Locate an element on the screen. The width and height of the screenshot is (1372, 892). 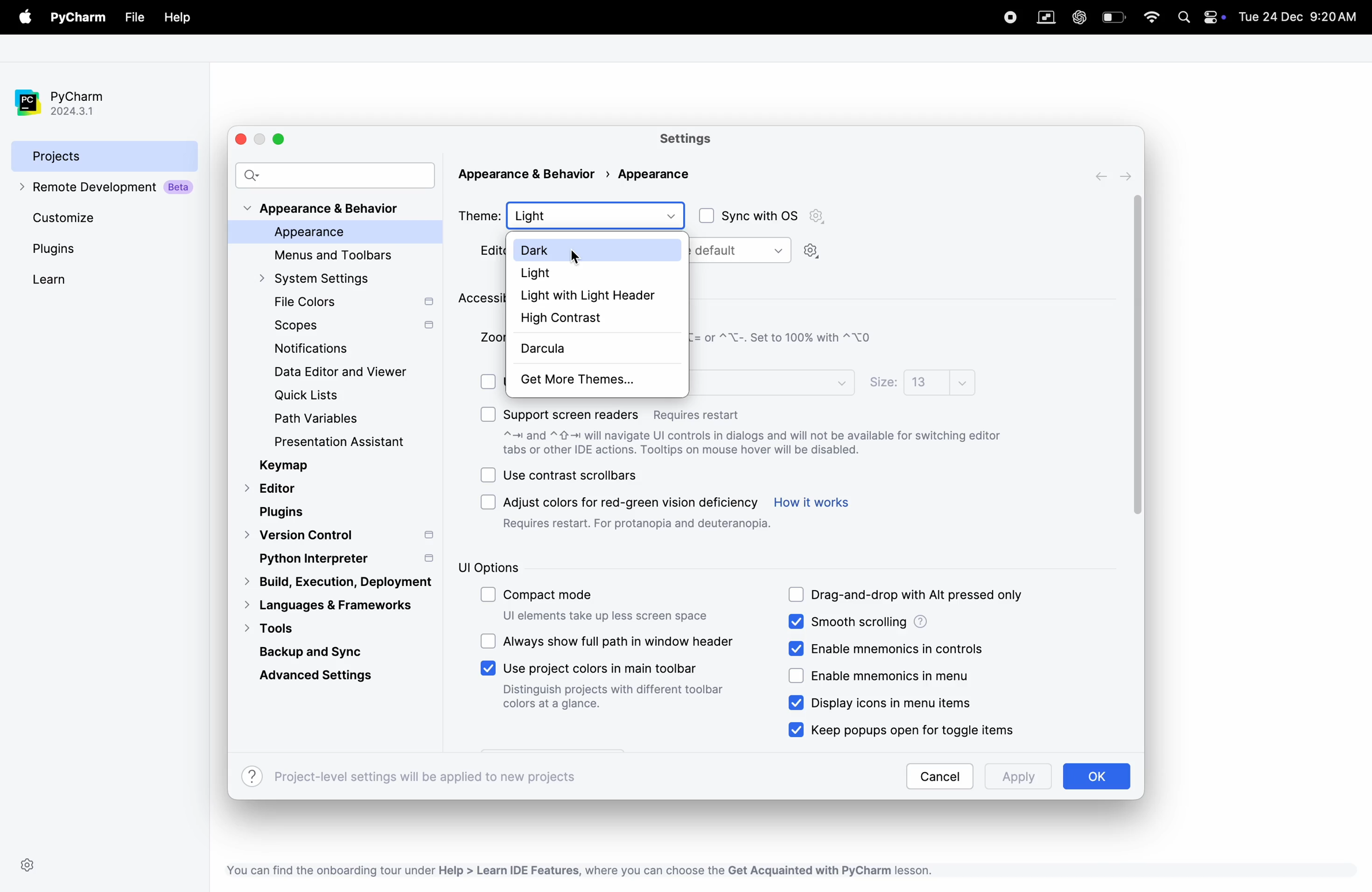
checkbox is located at coordinates (490, 502).